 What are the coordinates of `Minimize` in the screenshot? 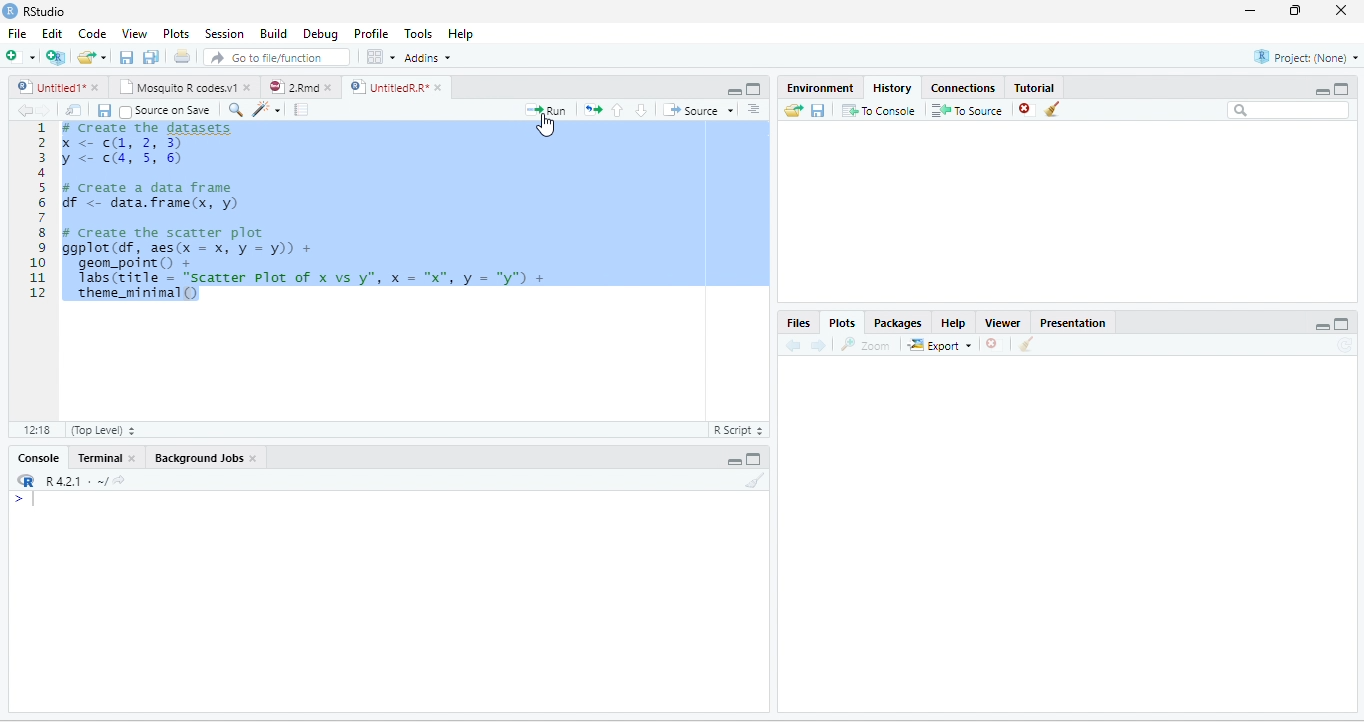 It's located at (732, 90).